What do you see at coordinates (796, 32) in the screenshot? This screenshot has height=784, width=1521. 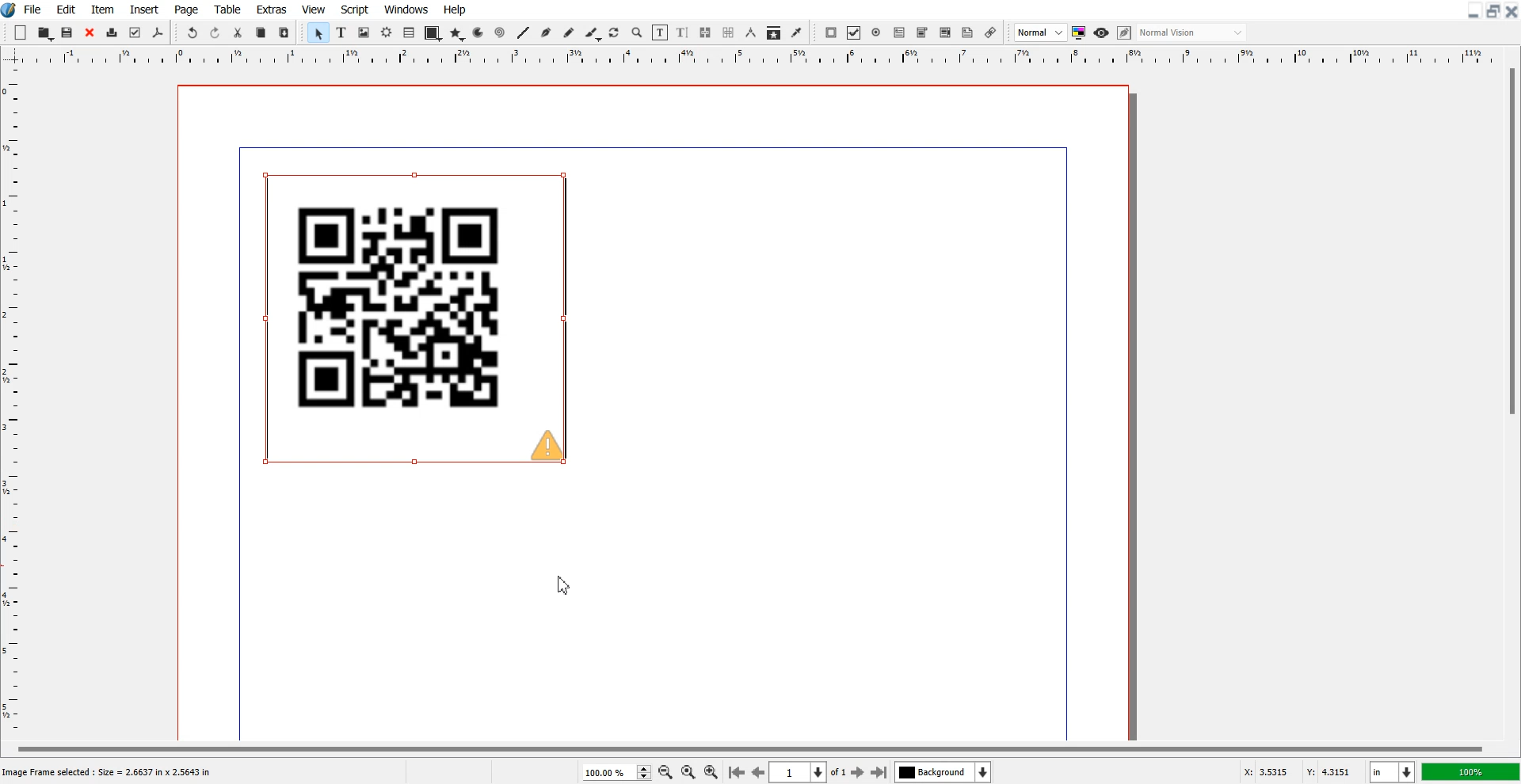 I see `Eye Dropper` at bounding box center [796, 32].